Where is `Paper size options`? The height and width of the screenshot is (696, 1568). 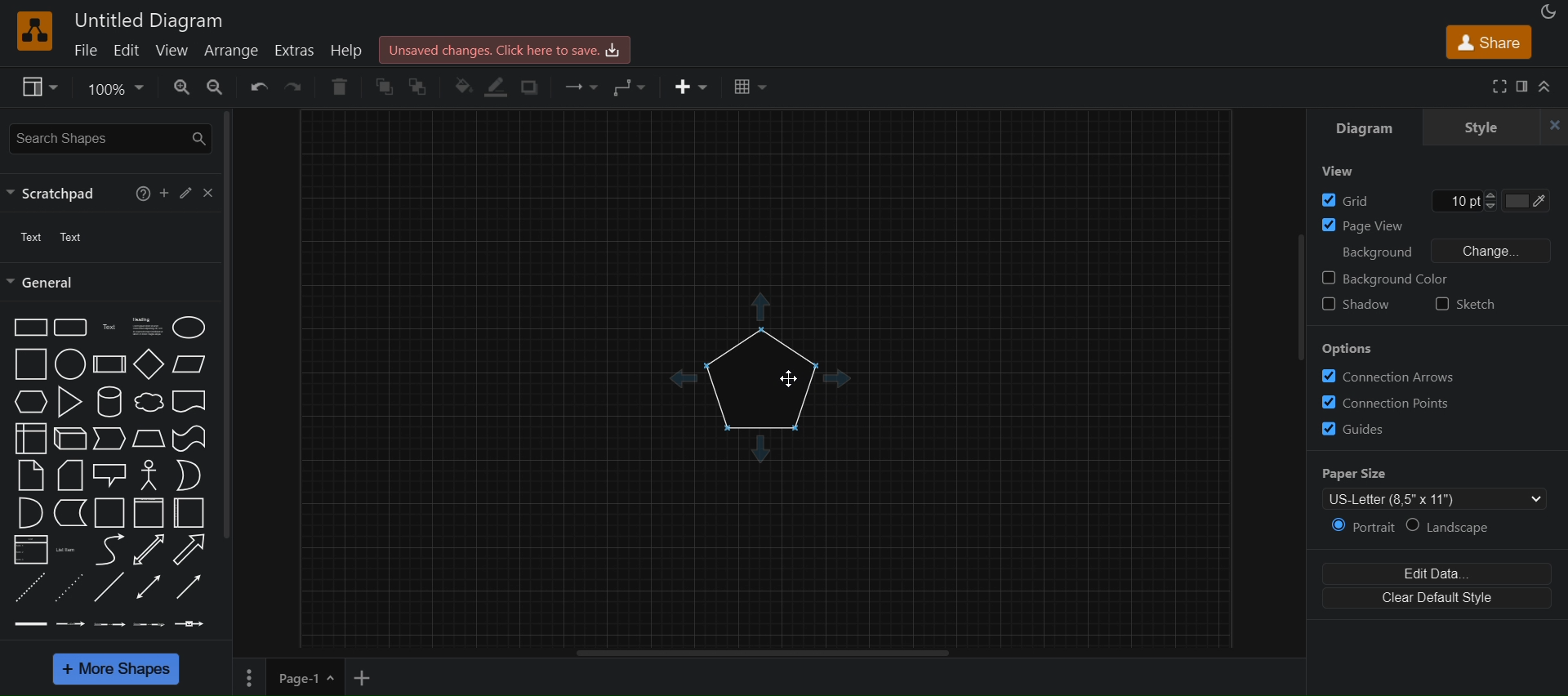
Paper size options is located at coordinates (1434, 498).